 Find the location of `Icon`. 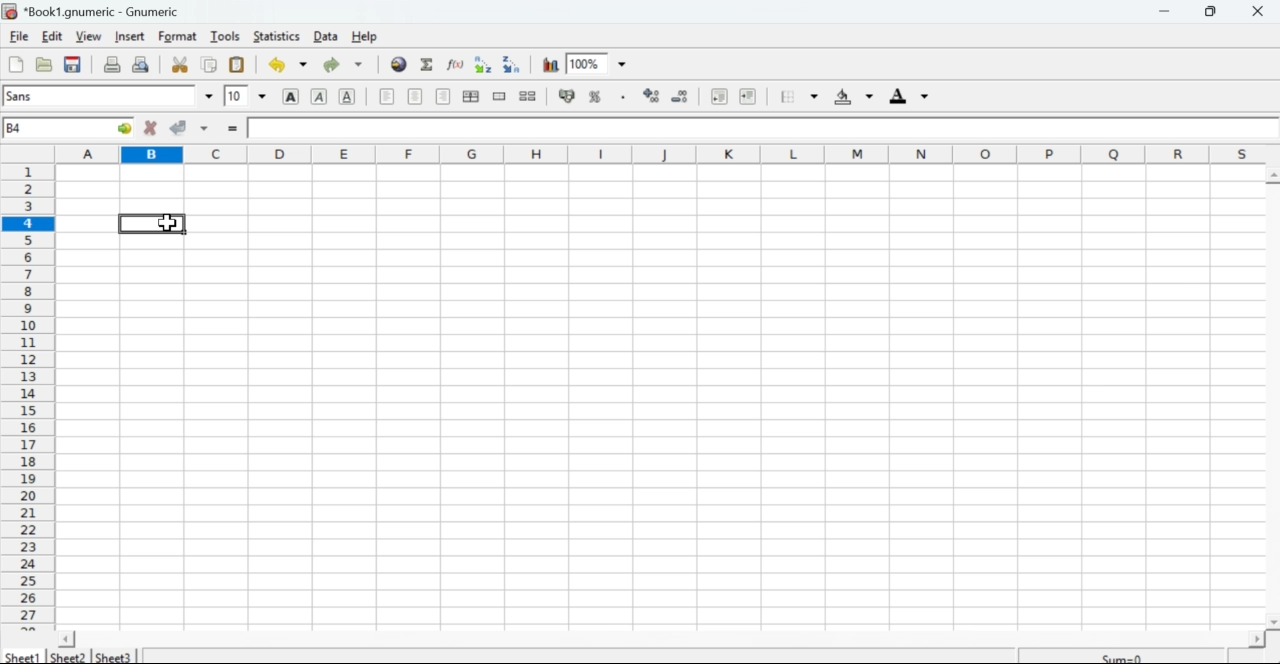

Icon is located at coordinates (650, 95).